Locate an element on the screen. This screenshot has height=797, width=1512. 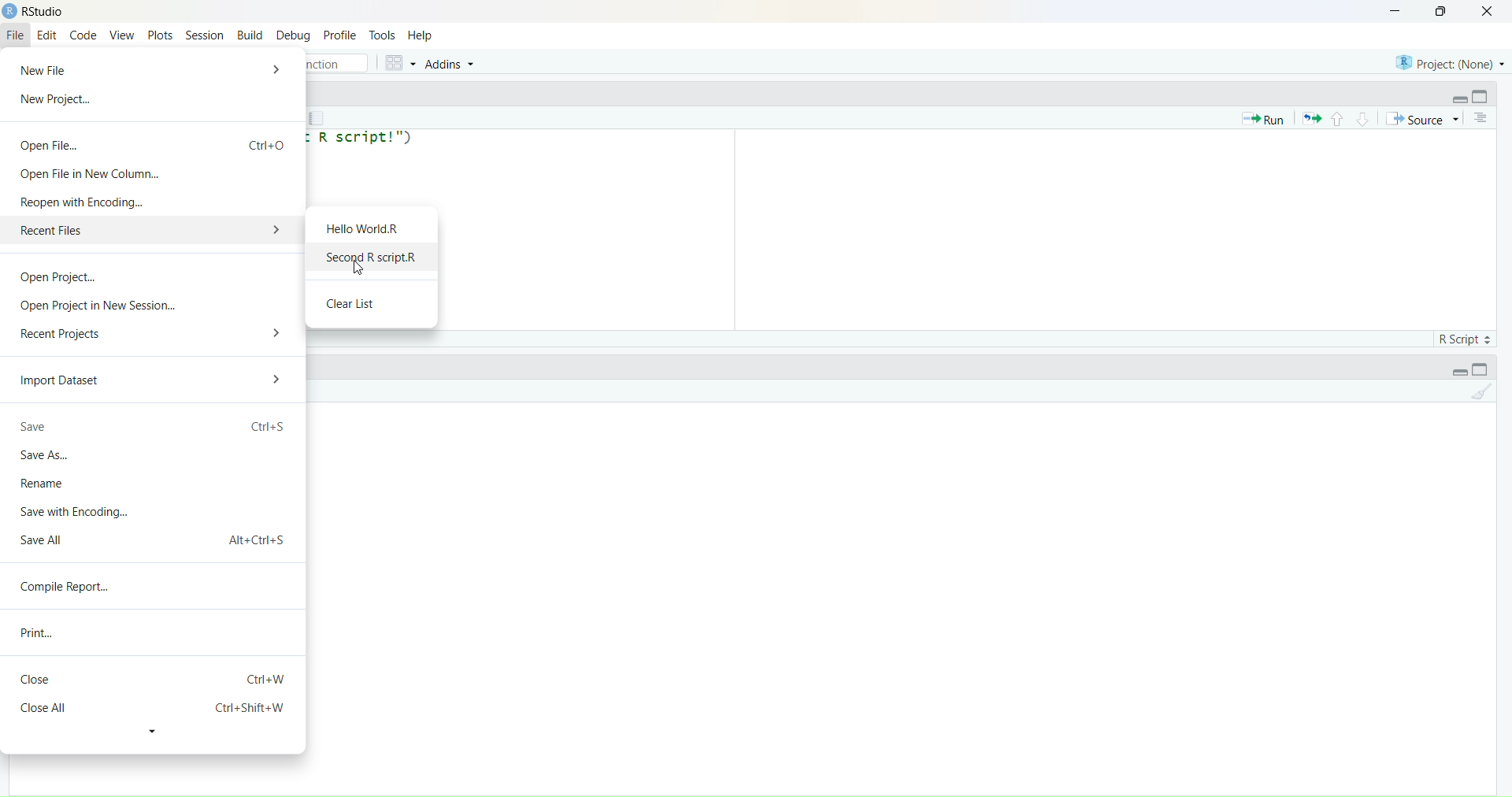
Clear console (Ctrl + L) is located at coordinates (1477, 396).